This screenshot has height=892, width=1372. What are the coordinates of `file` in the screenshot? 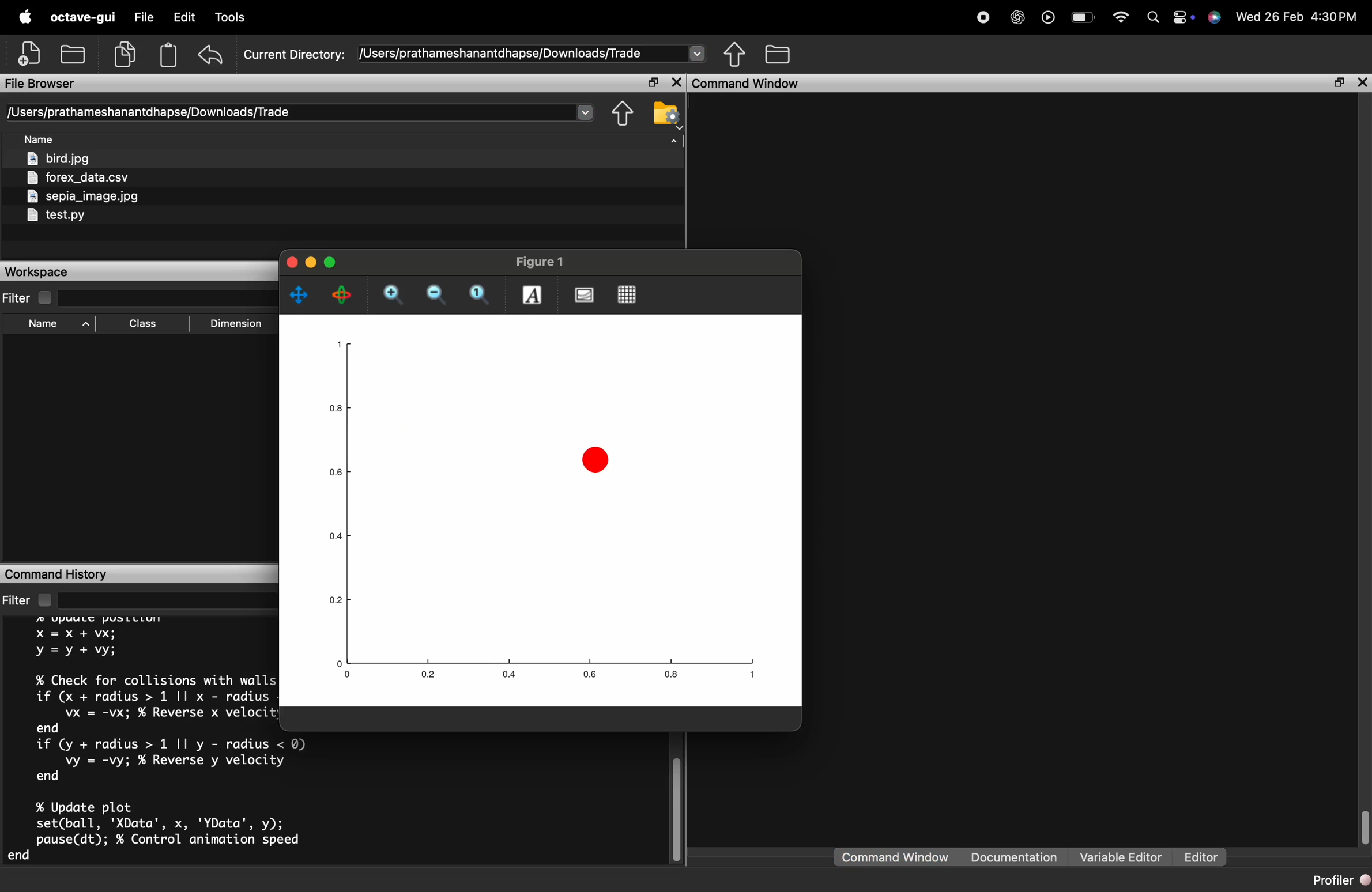 It's located at (144, 16).